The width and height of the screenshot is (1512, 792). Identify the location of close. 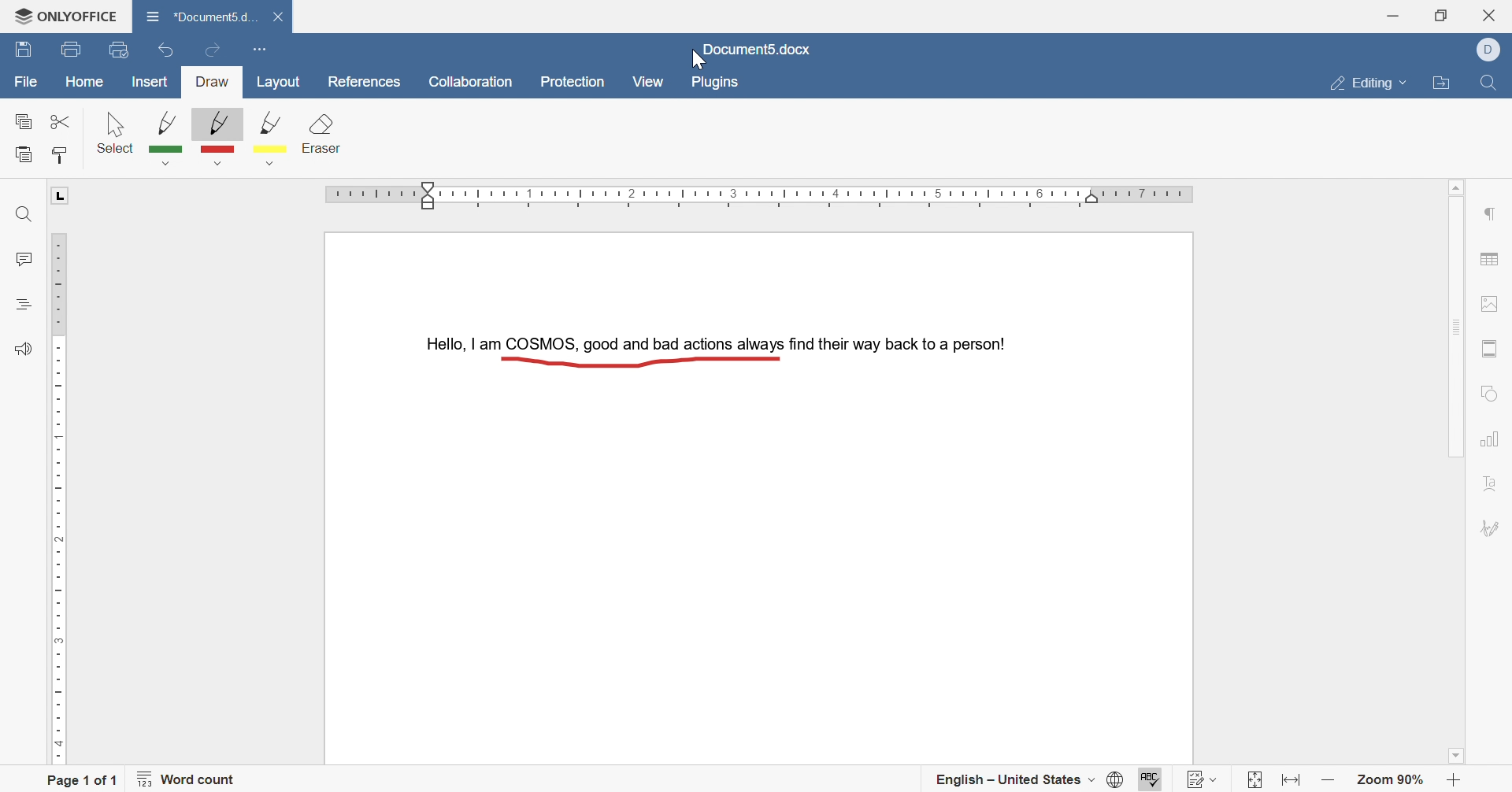
(1495, 13).